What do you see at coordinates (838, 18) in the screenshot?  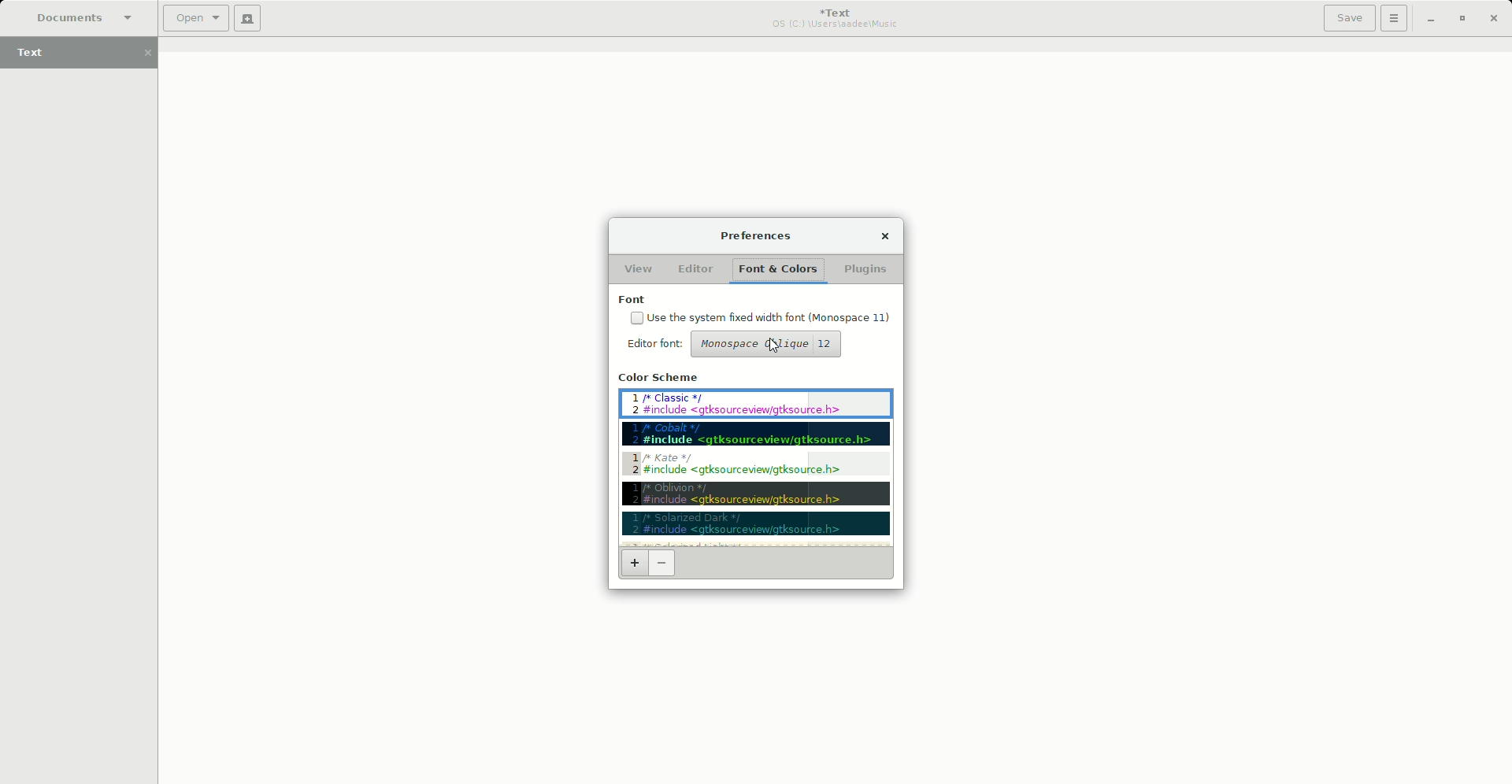 I see `Text` at bounding box center [838, 18].